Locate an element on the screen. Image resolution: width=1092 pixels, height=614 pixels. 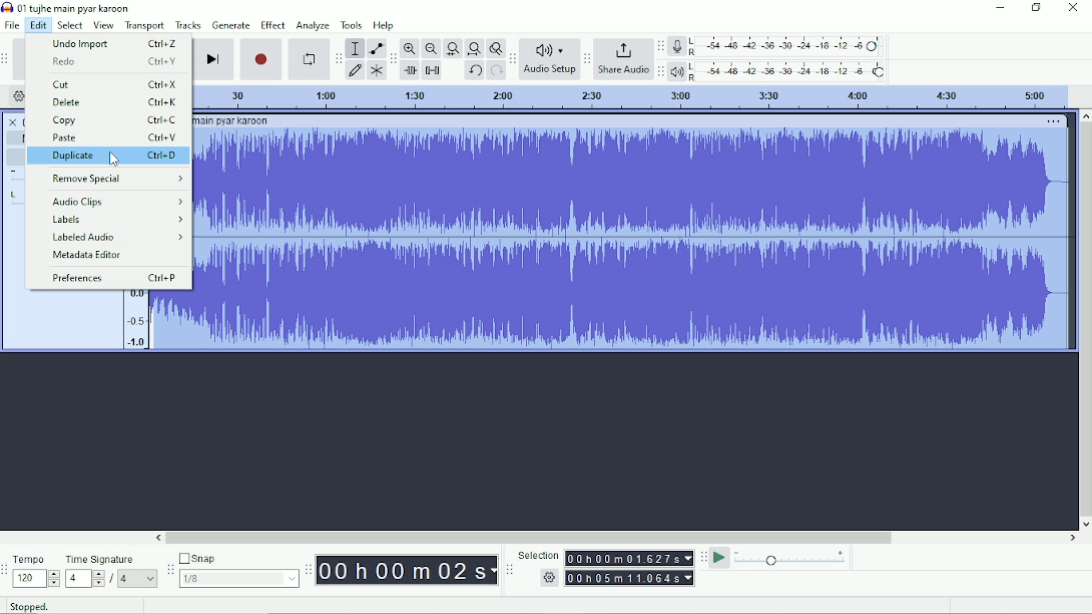
Audacity play-at-speed toolbar is located at coordinates (703, 557).